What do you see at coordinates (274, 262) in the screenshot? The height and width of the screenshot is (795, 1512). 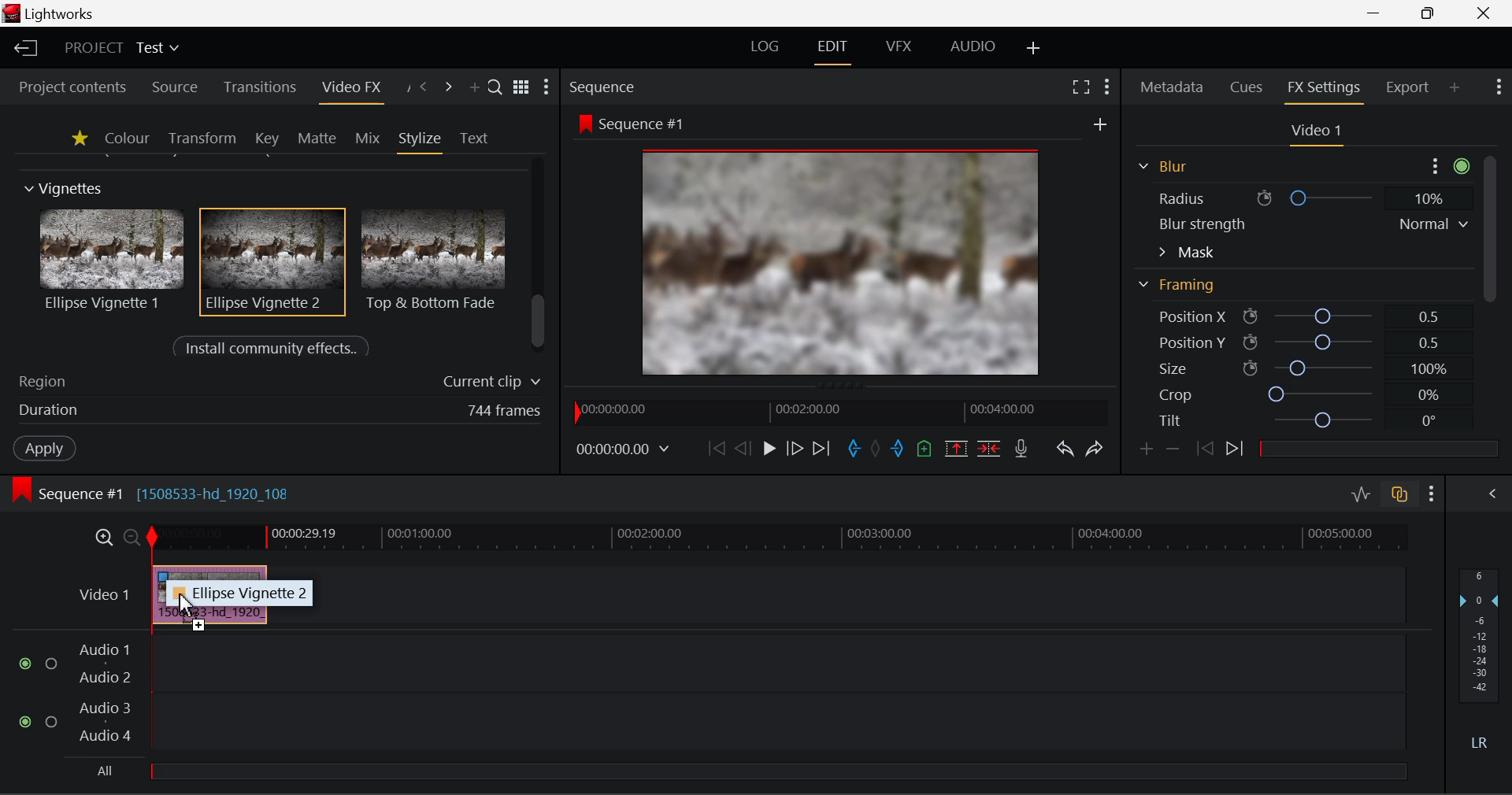 I see `Effect Selected` at bounding box center [274, 262].